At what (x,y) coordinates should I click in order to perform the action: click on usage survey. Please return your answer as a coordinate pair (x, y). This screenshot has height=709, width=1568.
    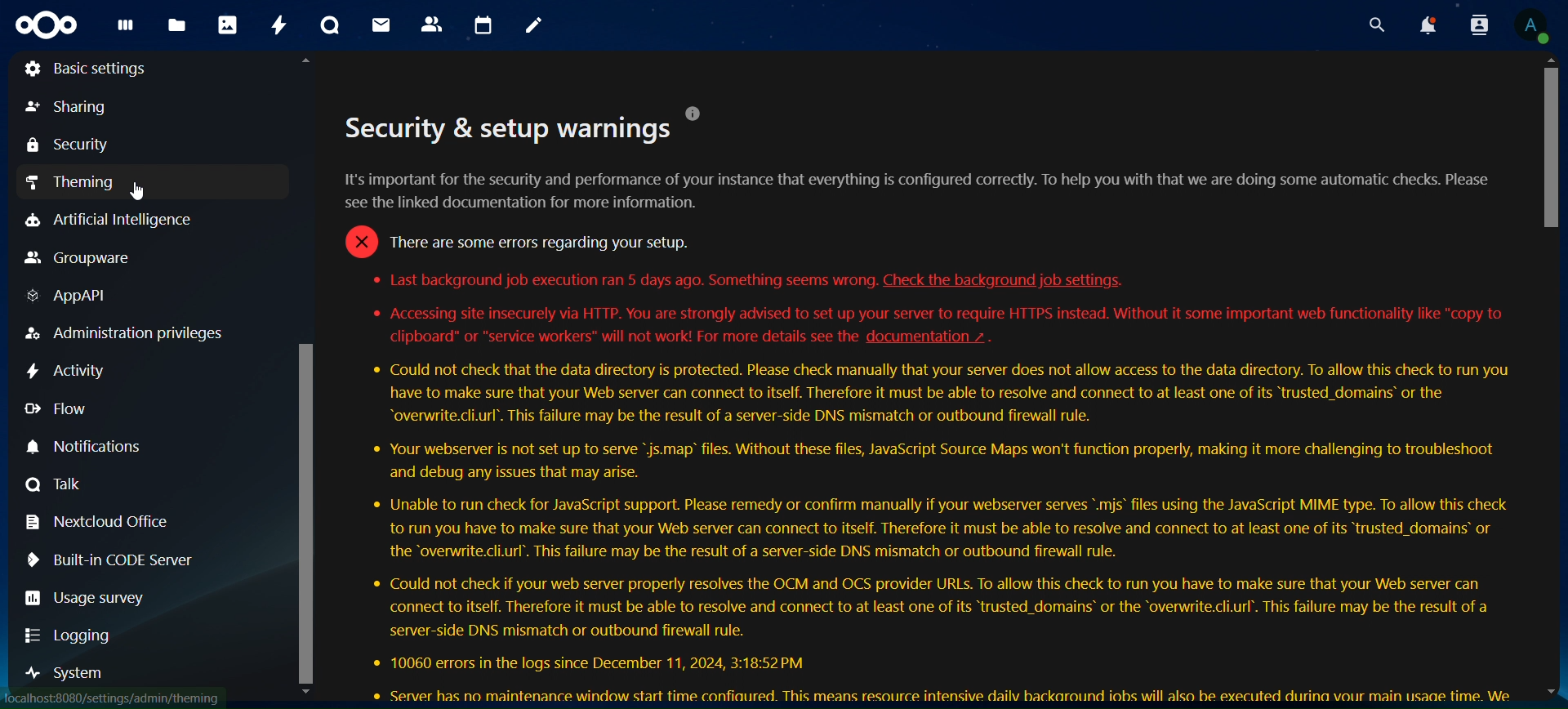
    Looking at the image, I should click on (87, 599).